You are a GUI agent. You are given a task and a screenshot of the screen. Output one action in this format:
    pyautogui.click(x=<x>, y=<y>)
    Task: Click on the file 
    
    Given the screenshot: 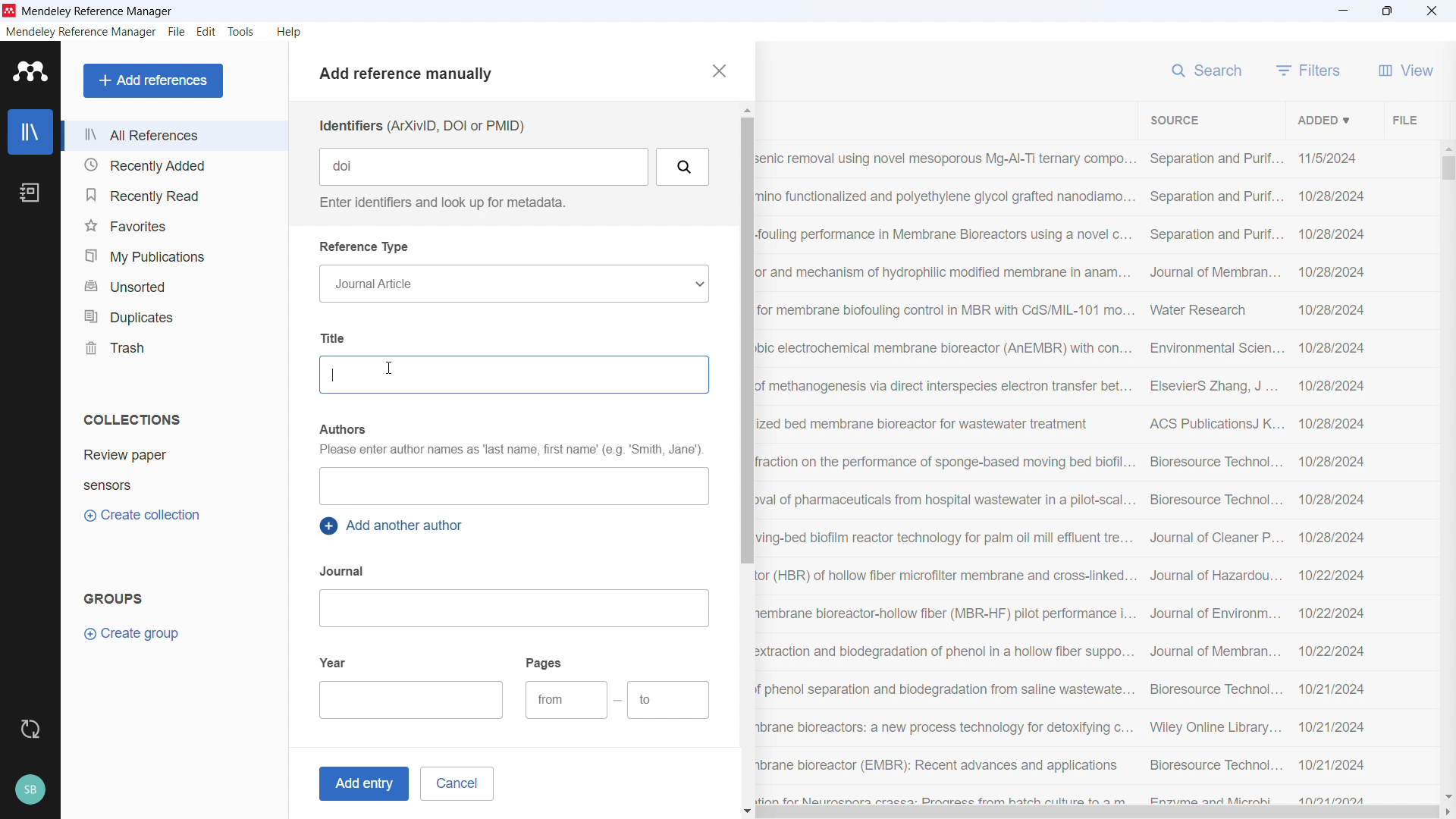 What is the action you would take?
    pyautogui.click(x=176, y=33)
    